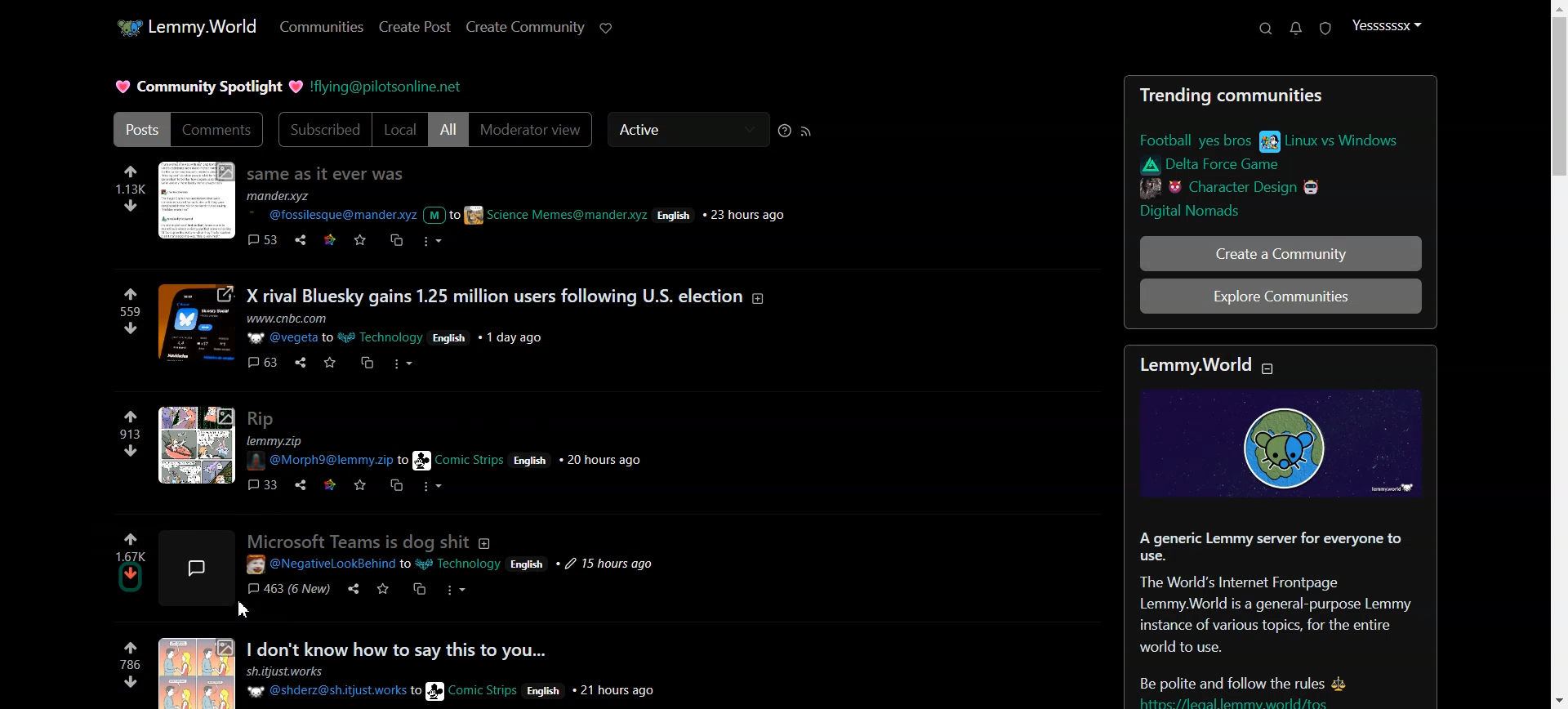  Describe the element at coordinates (397, 484) in the screenshot. I see `cs` at that location.